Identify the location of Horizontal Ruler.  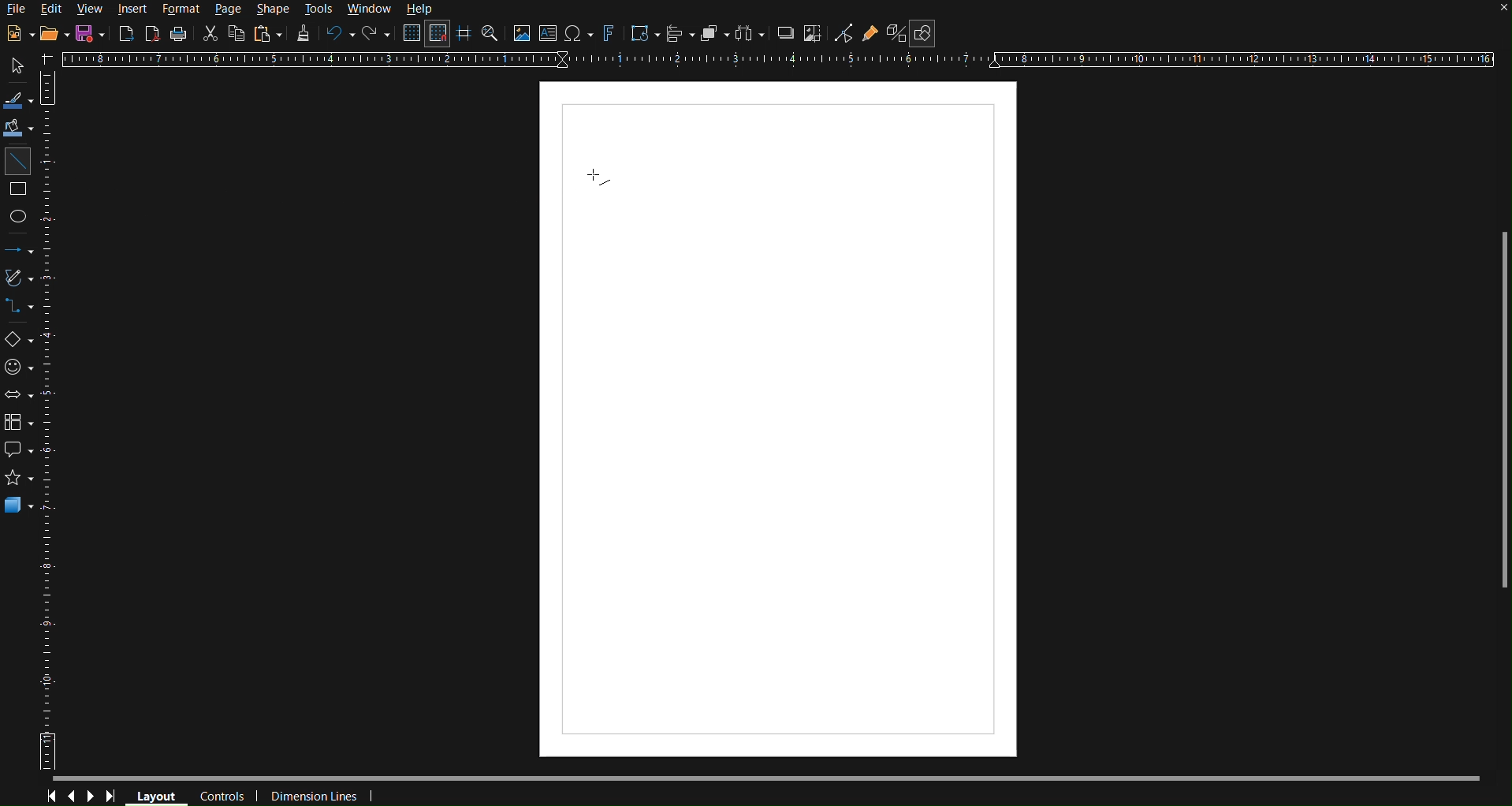
(782, 61).